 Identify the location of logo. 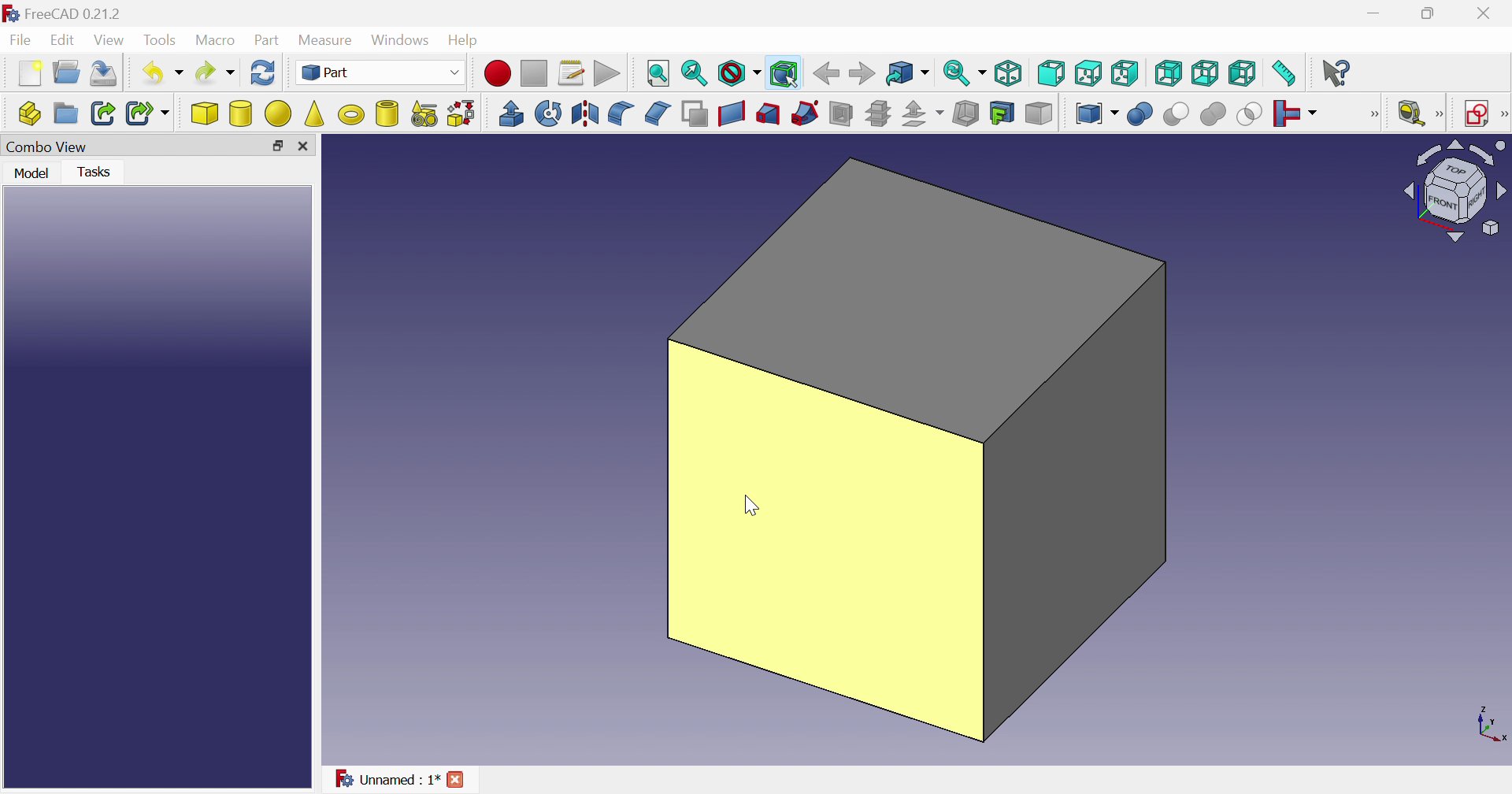
(11, 13).